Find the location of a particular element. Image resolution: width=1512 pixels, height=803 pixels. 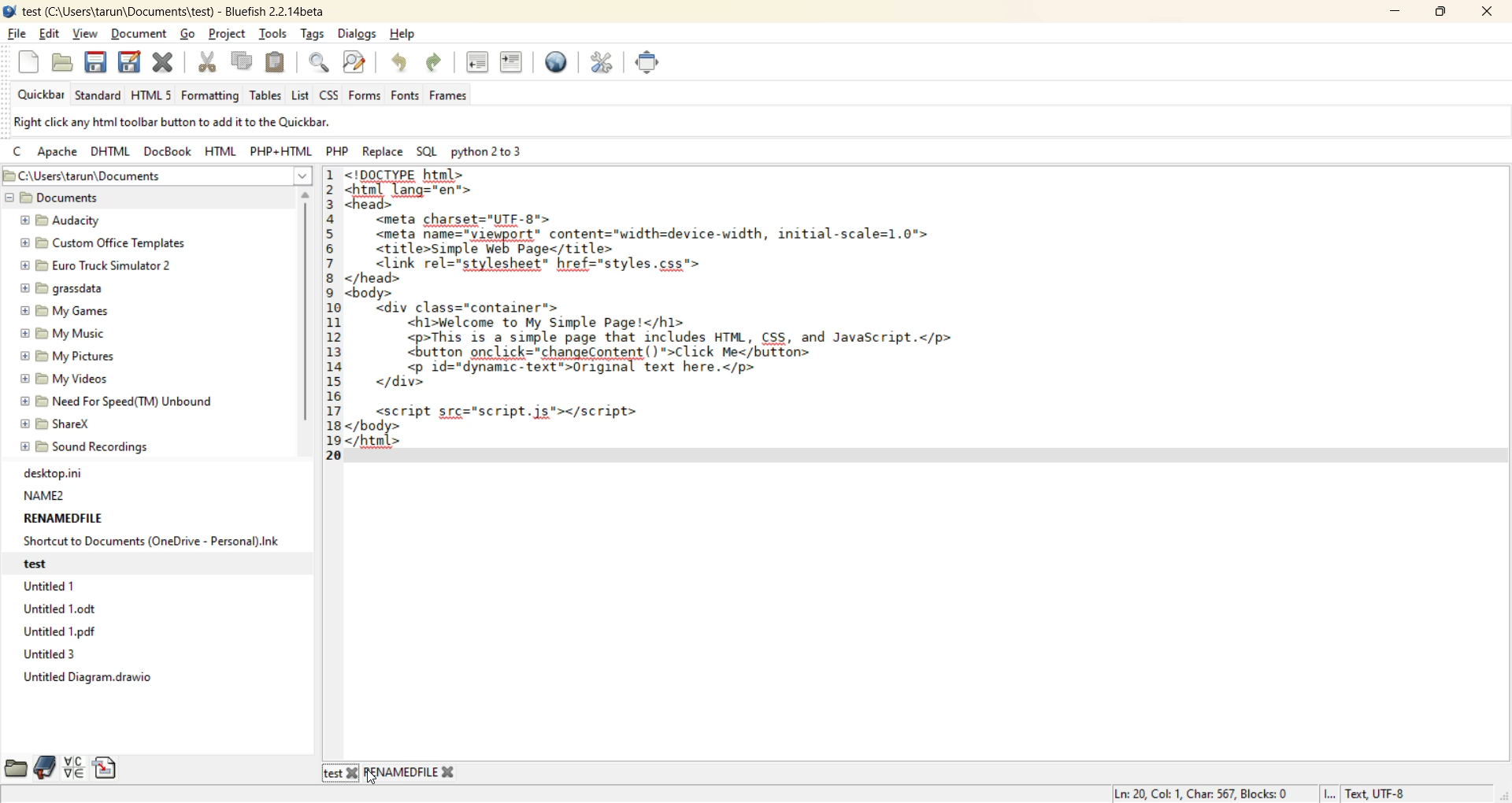

html 5 is located at coordinates (154, 95).